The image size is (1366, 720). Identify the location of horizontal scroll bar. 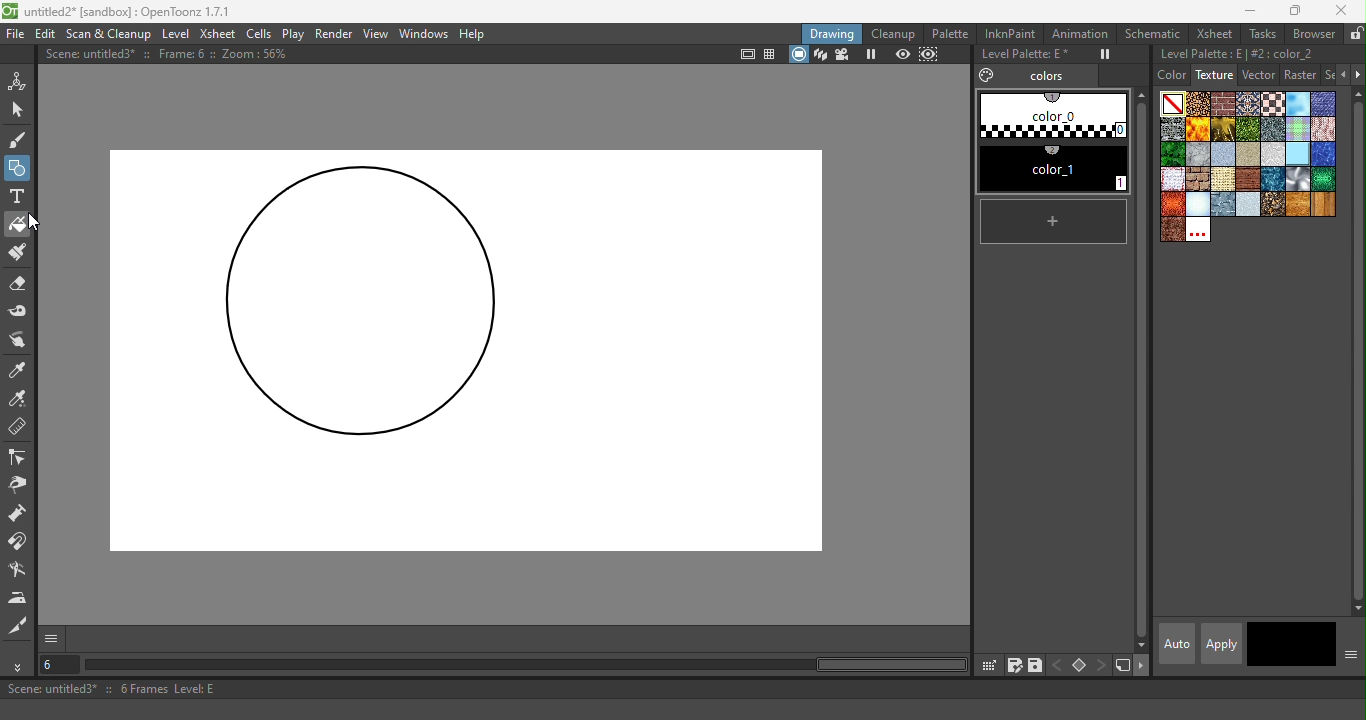
(527, 665).